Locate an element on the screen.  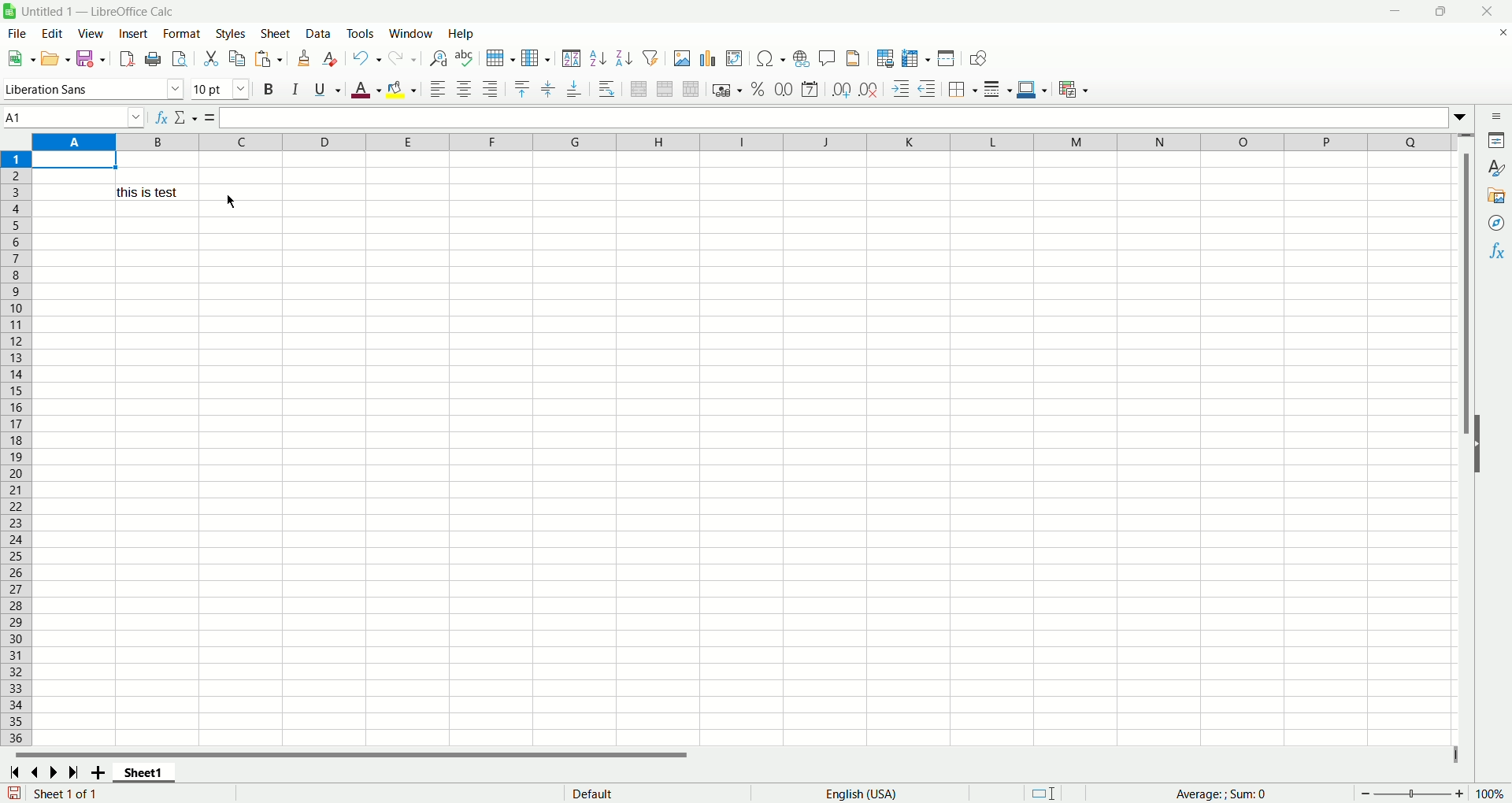
export as pdf is located at coordinates (126, 59).